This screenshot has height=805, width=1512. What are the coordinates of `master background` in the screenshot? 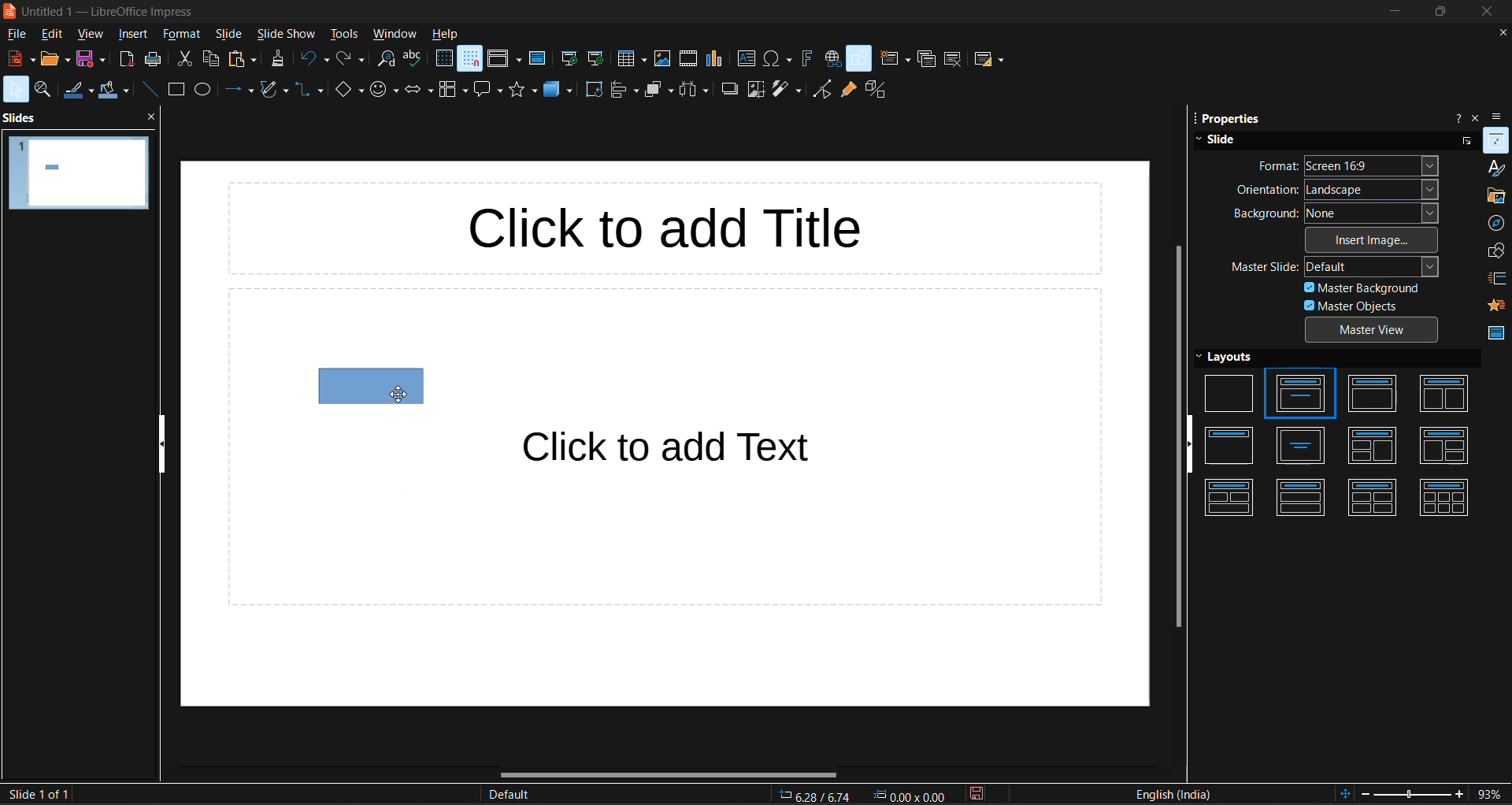 It's located at (1367, 287).